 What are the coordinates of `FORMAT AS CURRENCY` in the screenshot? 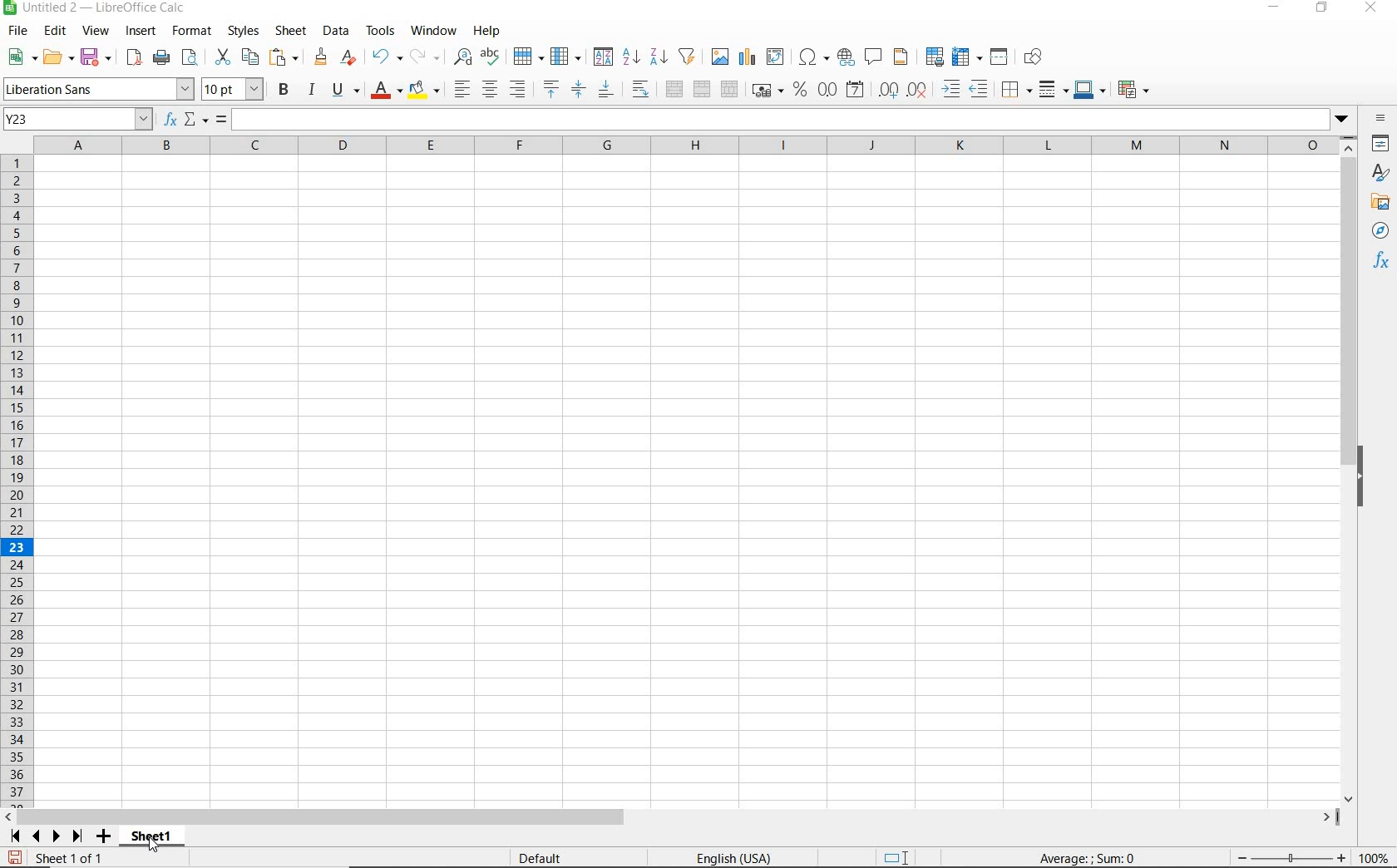 It's located at (766, 92).